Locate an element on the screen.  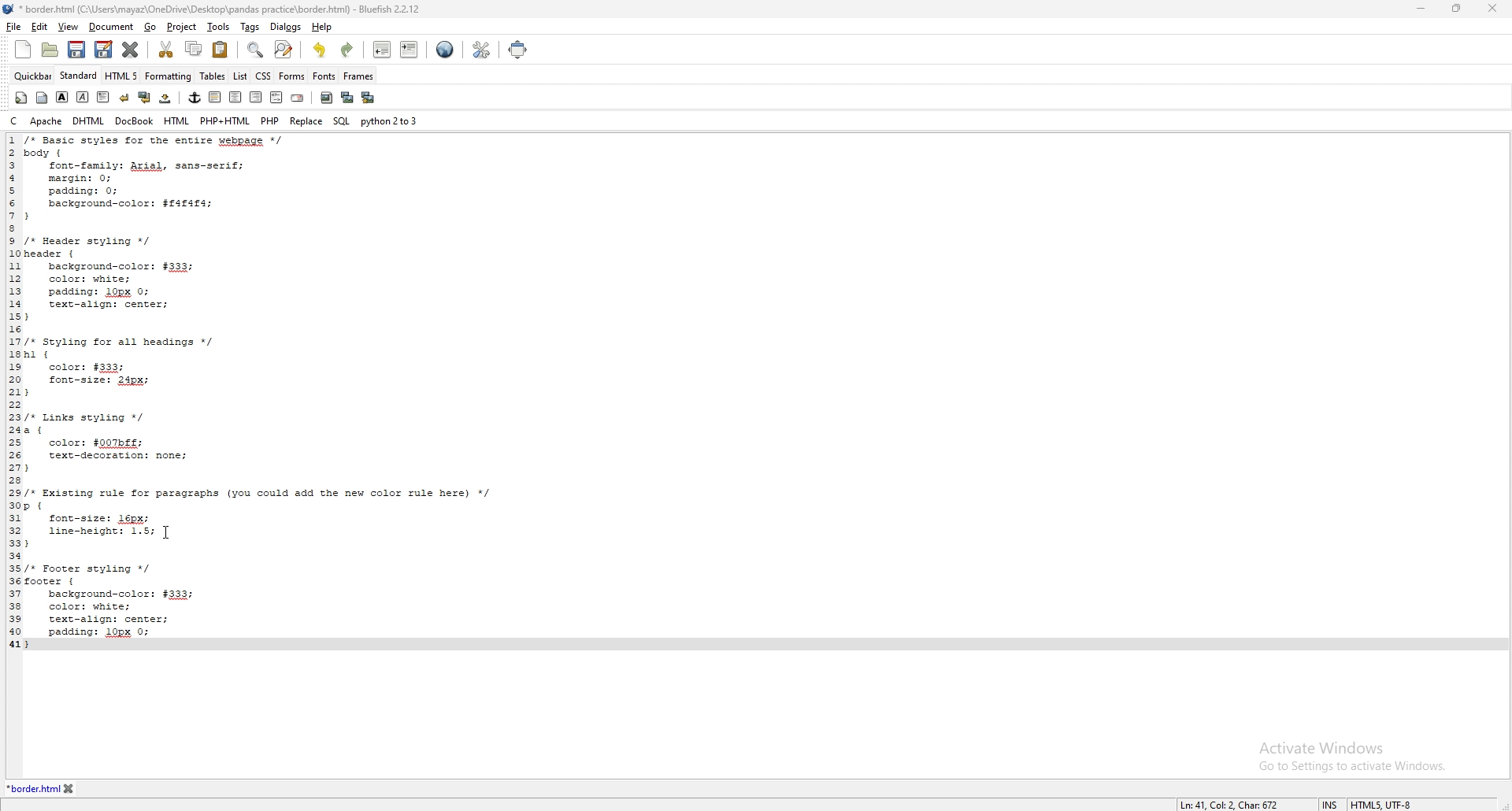
unindent is located at coordinates (383, 49).